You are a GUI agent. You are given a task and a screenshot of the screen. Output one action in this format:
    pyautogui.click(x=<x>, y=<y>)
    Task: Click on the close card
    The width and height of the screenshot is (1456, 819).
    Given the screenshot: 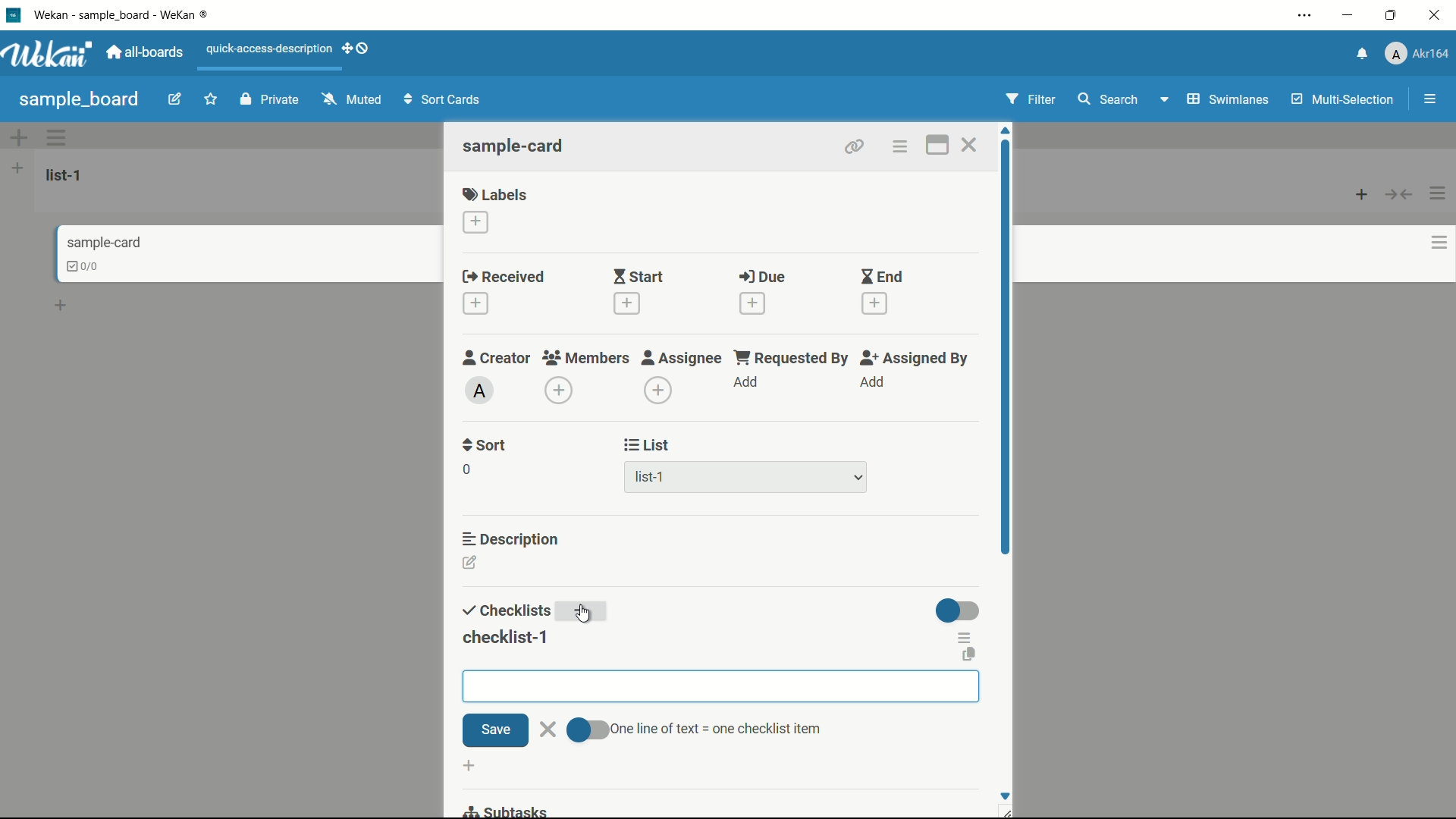 What is the action you would take?
    pyautogui.click(x=968, y=147)
    